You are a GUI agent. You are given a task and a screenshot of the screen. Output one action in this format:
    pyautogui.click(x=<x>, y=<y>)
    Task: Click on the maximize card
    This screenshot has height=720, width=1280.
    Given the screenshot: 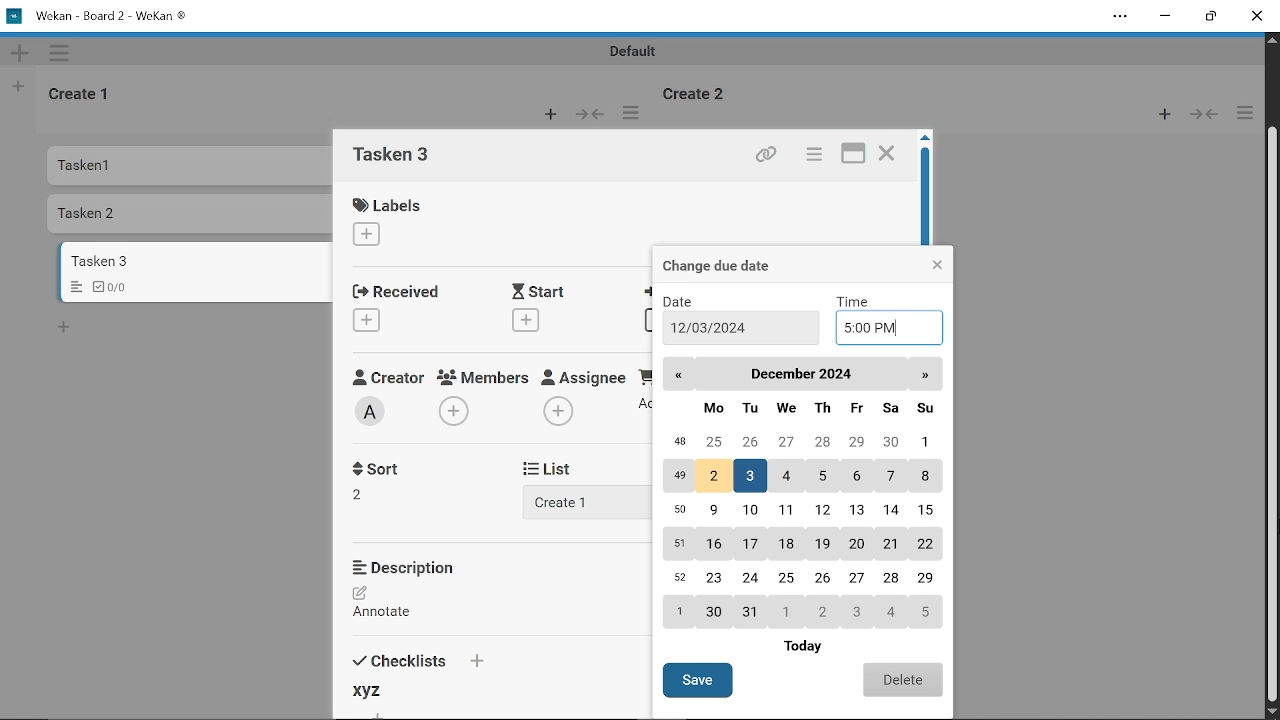 What is the action you would take?
    pyautogui.click(x=855, y=155)
    